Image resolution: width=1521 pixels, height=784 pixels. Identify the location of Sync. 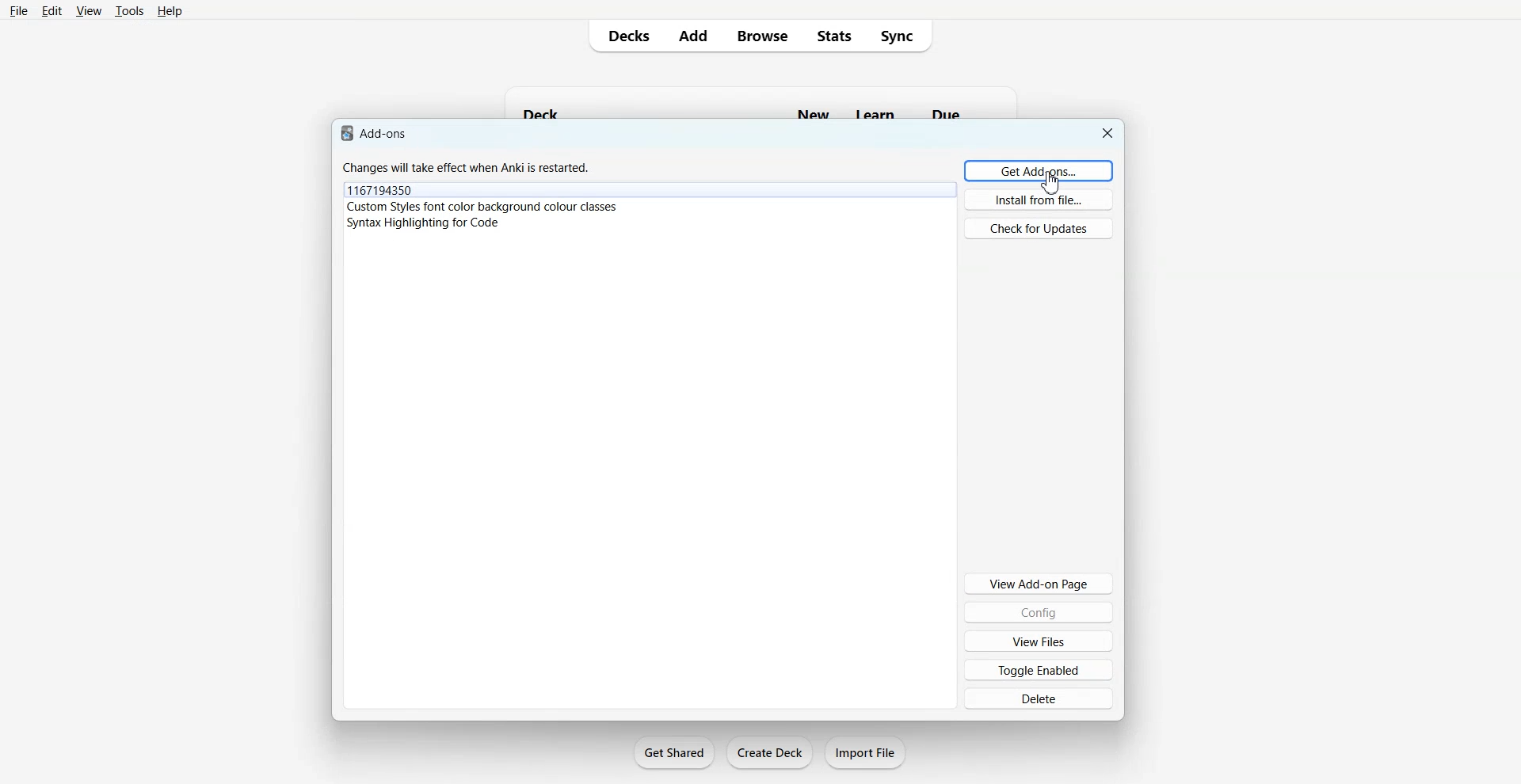
(904, 36).